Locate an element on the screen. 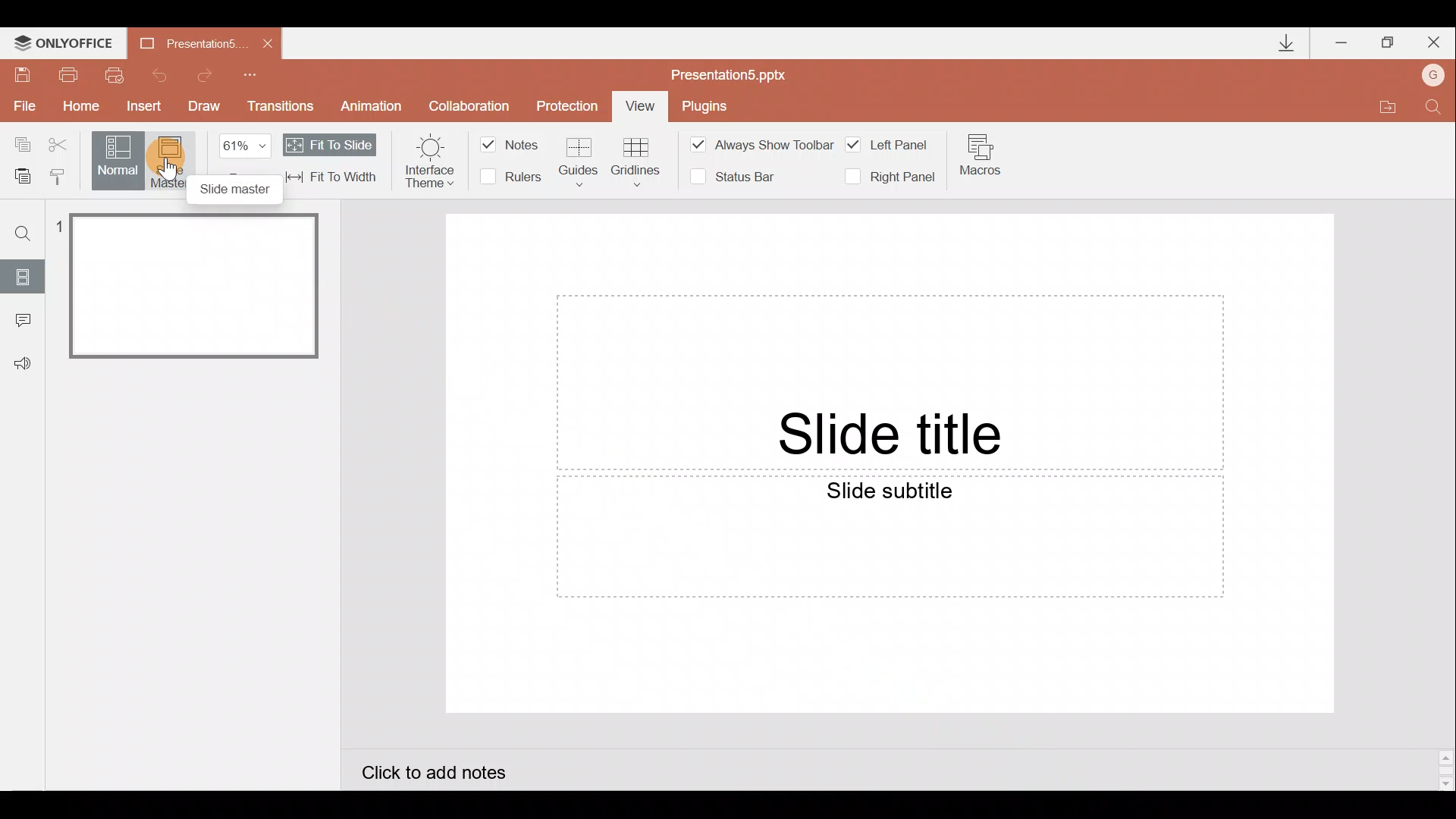  Undo is located at coordinates (158, 74).